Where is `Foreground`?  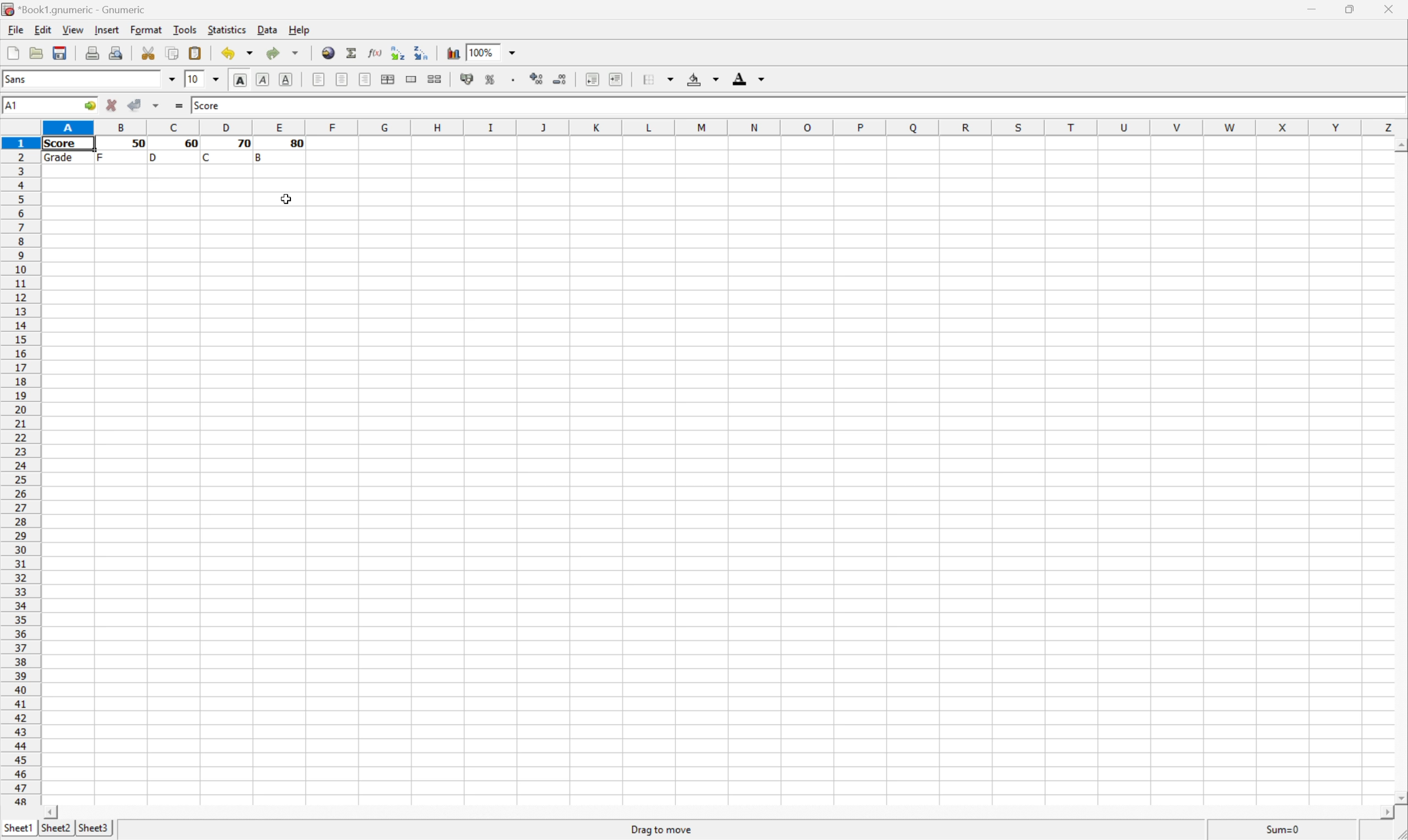
Foreground is located at coordinates (746, 78).